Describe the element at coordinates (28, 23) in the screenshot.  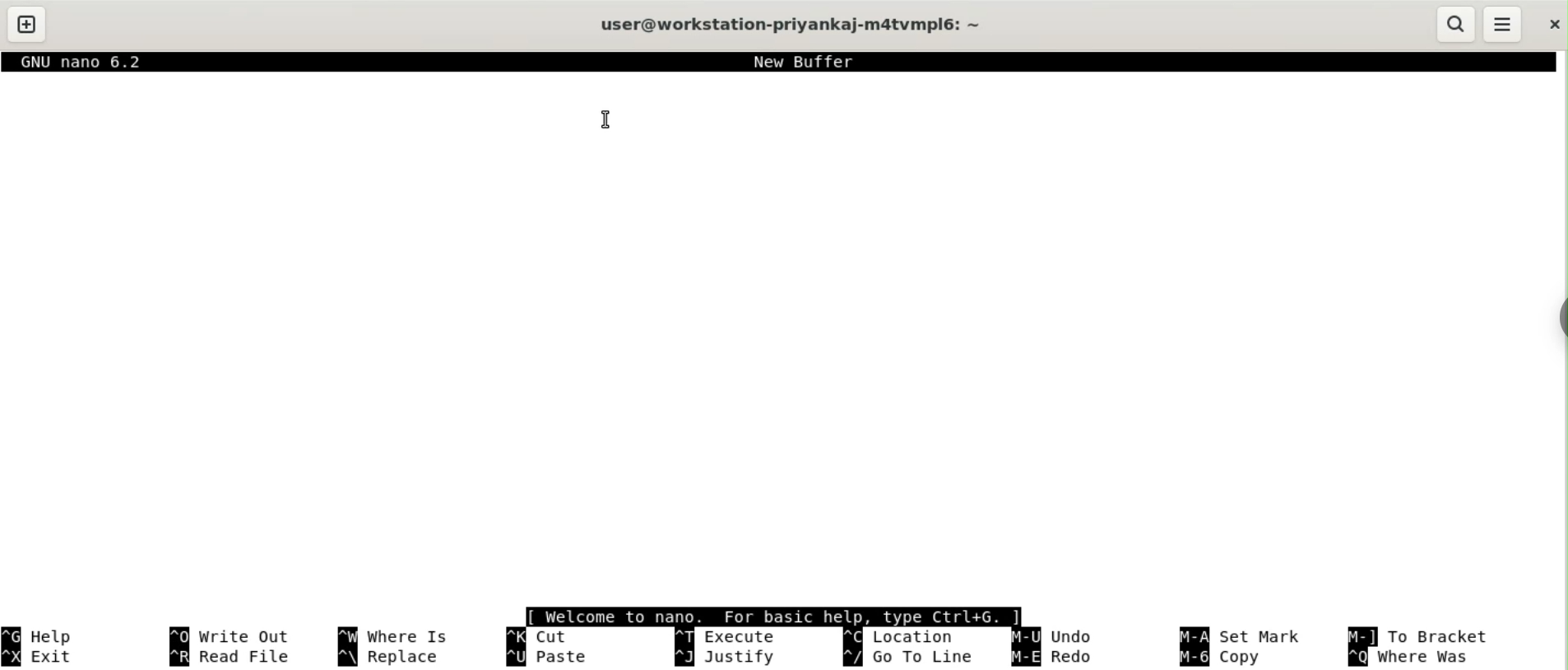
I see `new tab` at that location.